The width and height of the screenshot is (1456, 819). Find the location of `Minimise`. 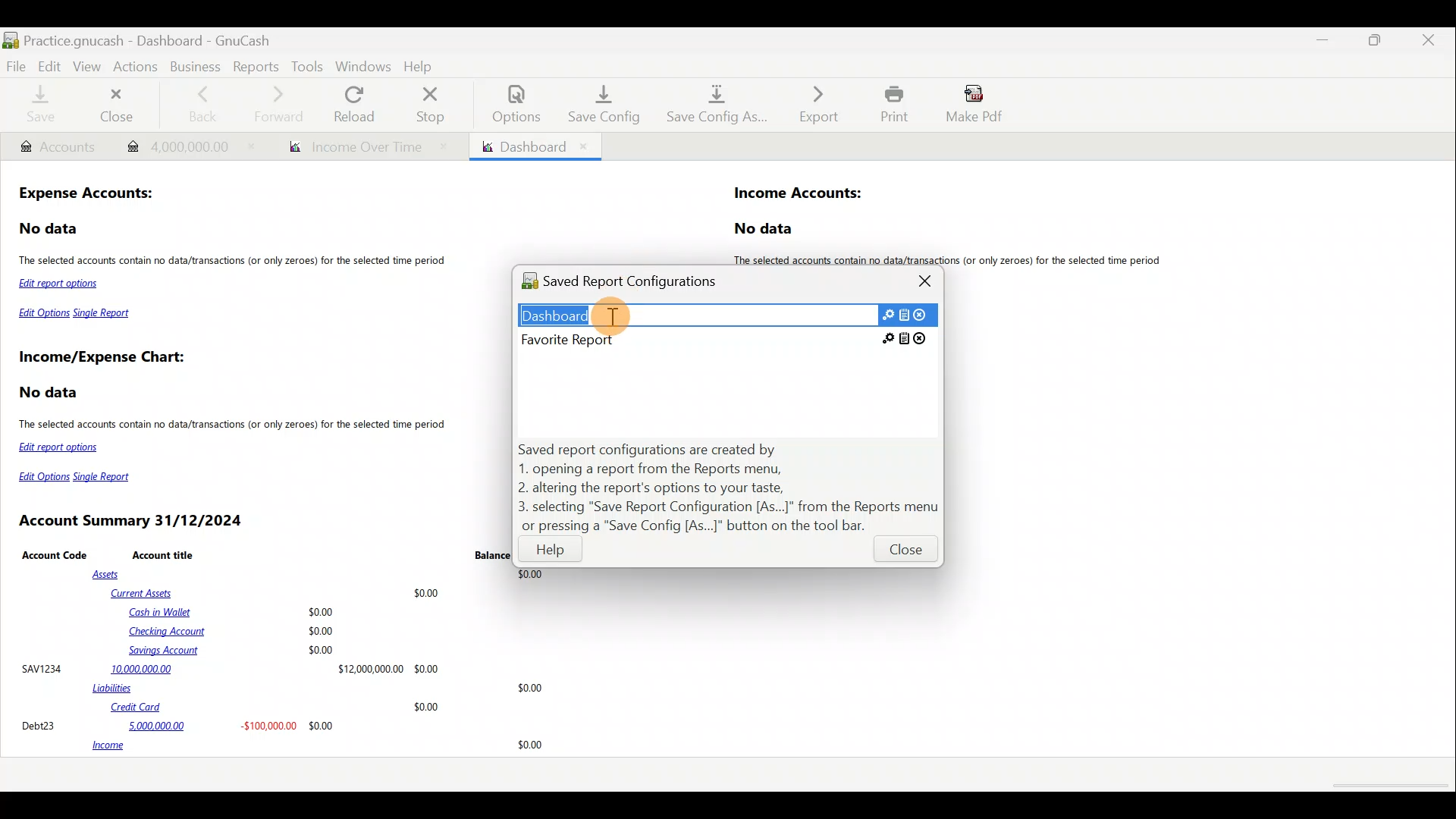

Minimise is located at coordinates (1326, 40).